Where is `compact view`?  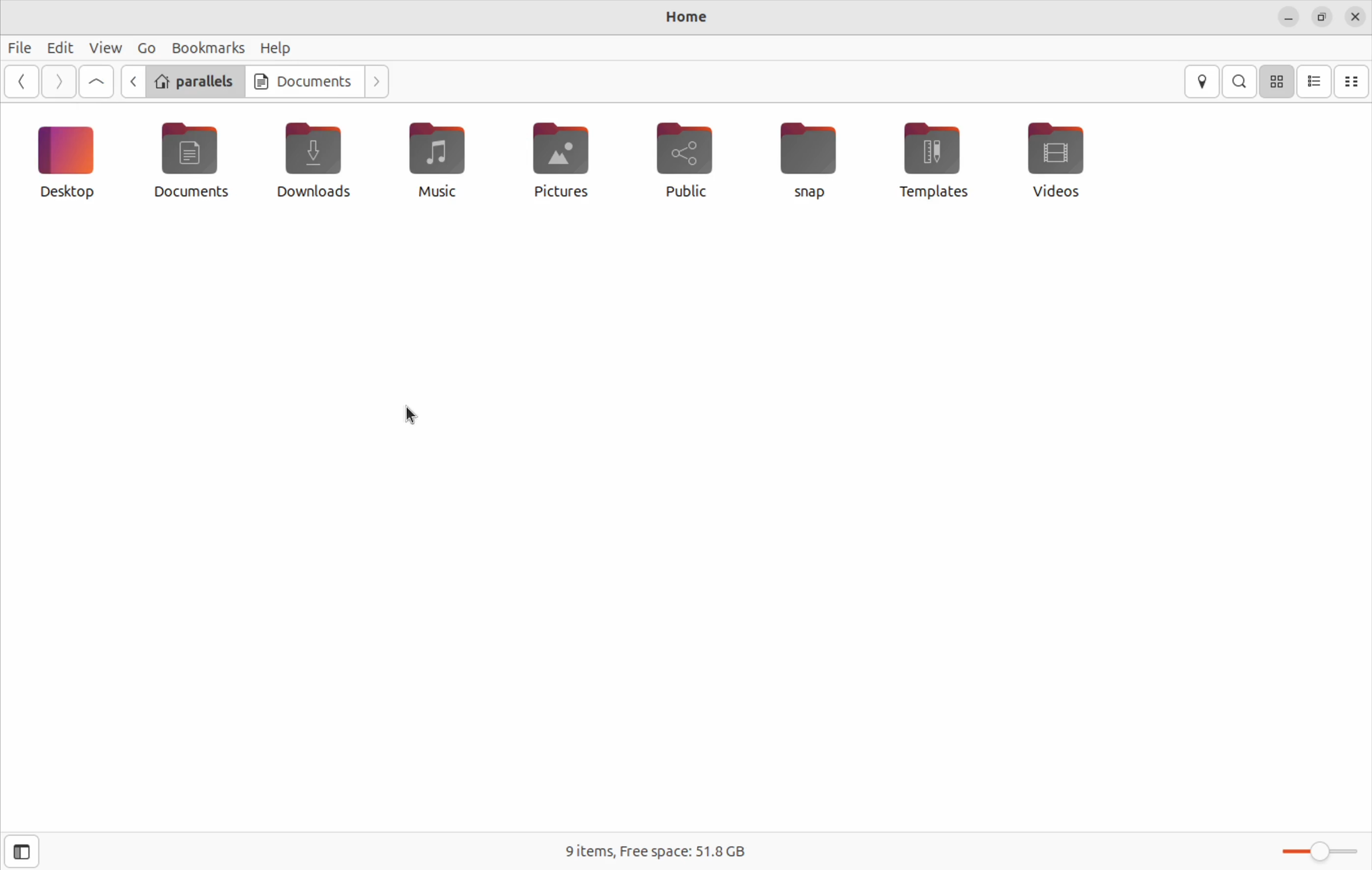
compact view is located at coordinates (1353, 80).